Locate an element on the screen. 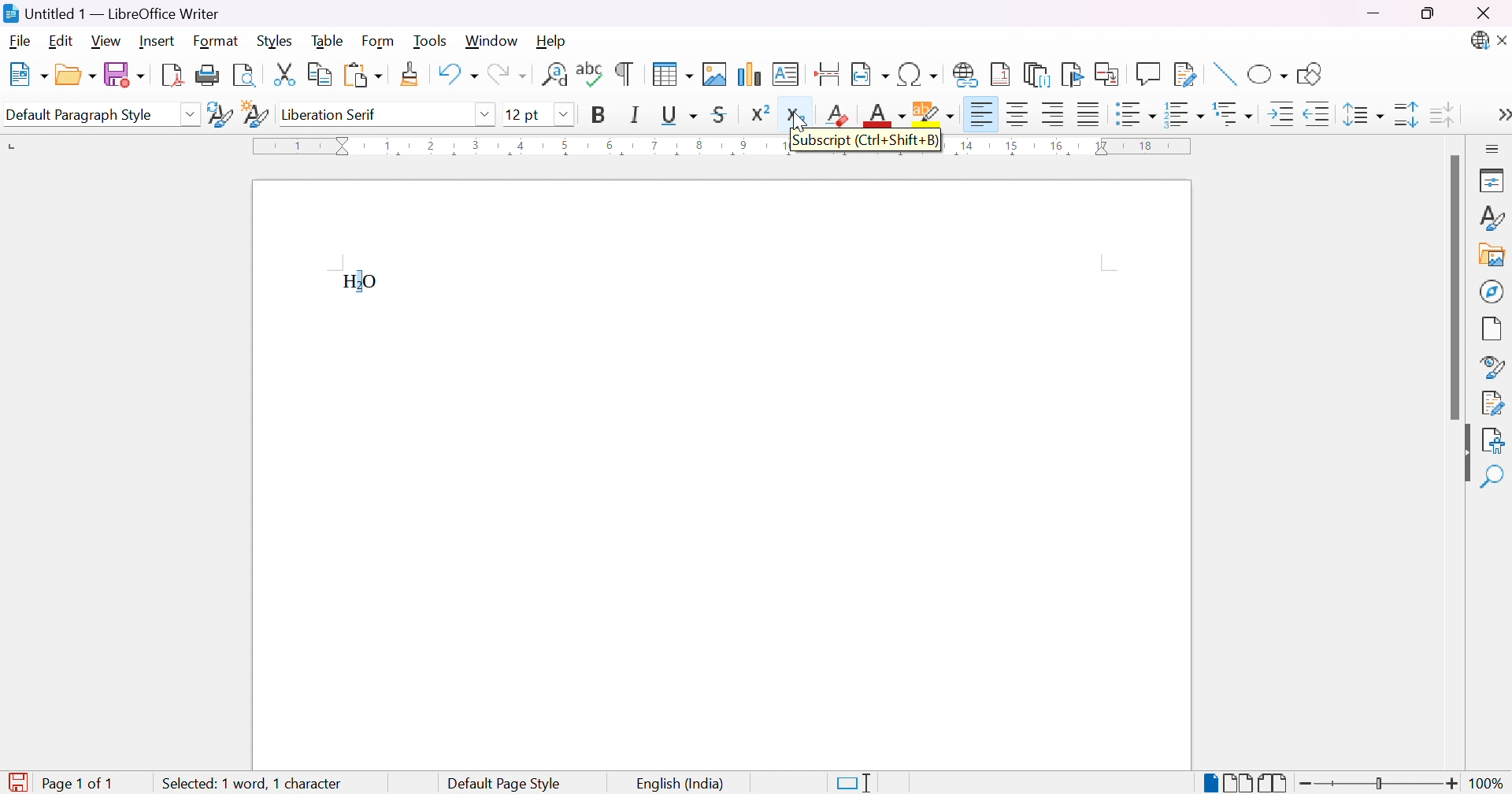 The image size is (1512, 794). Cut is located at coordinates (283, 73).